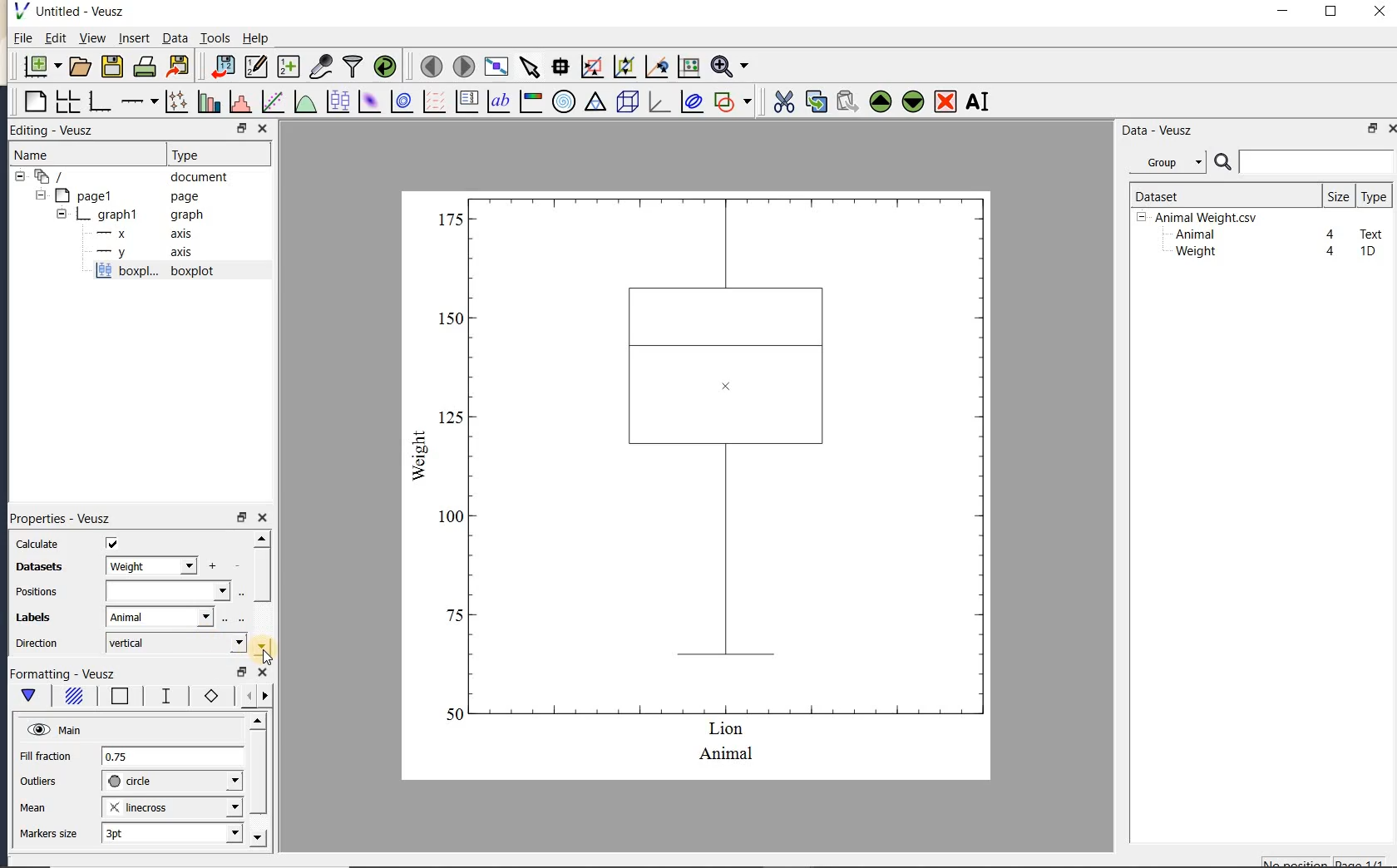 The height and width of the screenshot is (868, 1397). Describe the element at coordinates (498, 103) in the screenshot. I see `text label` at that location.